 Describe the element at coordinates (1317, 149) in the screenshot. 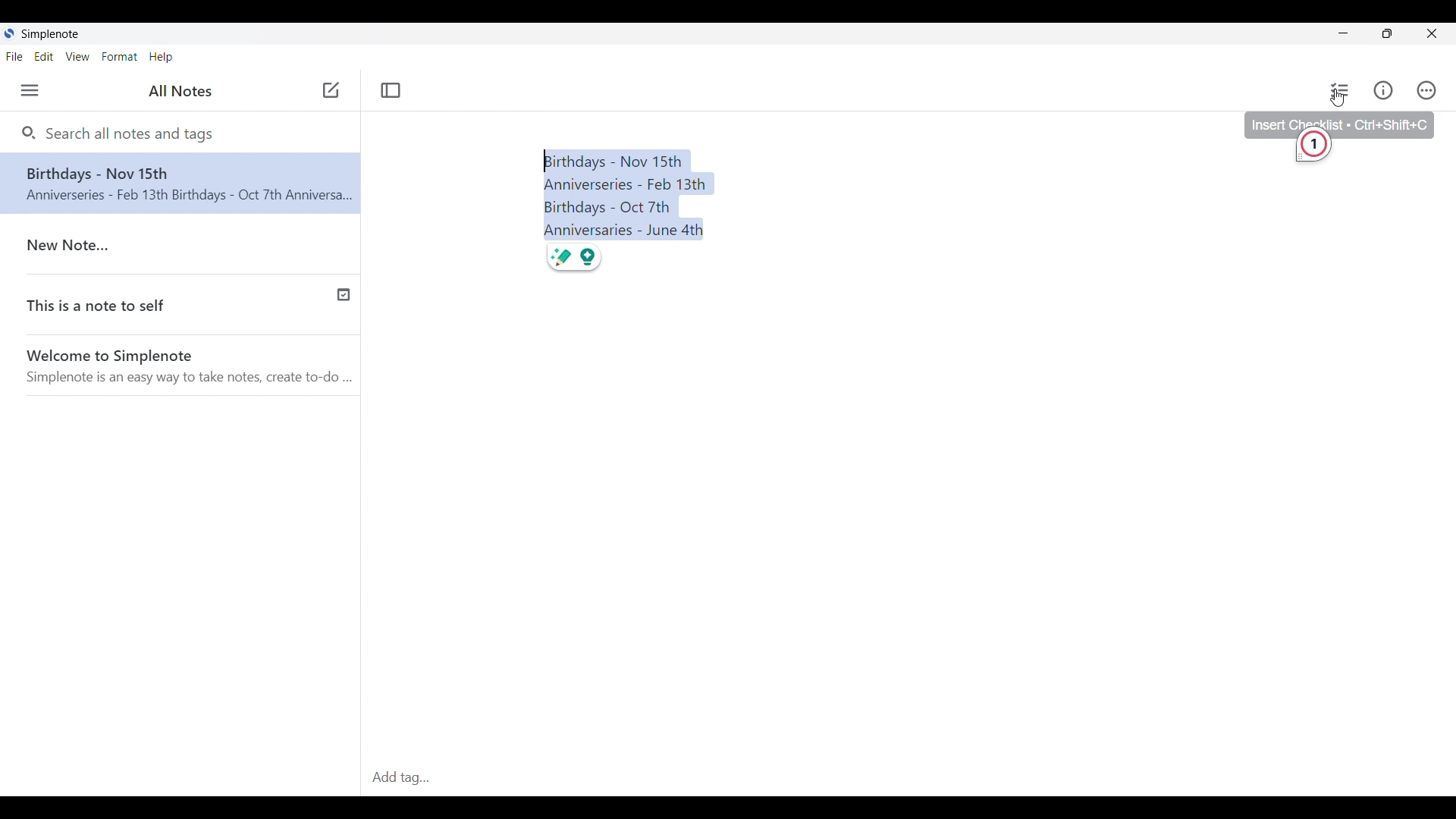

I see `Grammarly extension detecting 1 required change ` at that location.